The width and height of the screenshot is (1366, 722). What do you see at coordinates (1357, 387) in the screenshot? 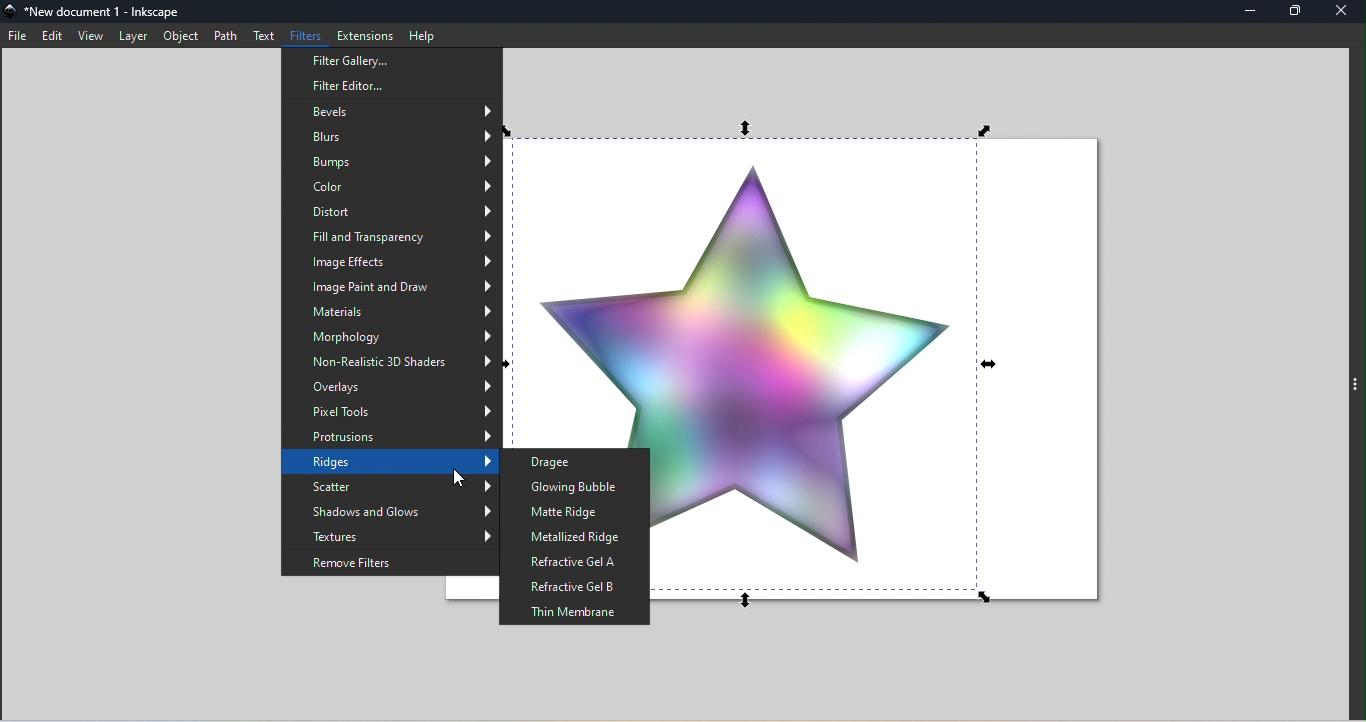
I see `Toggle command panel` at bounding box center [1357, 387].